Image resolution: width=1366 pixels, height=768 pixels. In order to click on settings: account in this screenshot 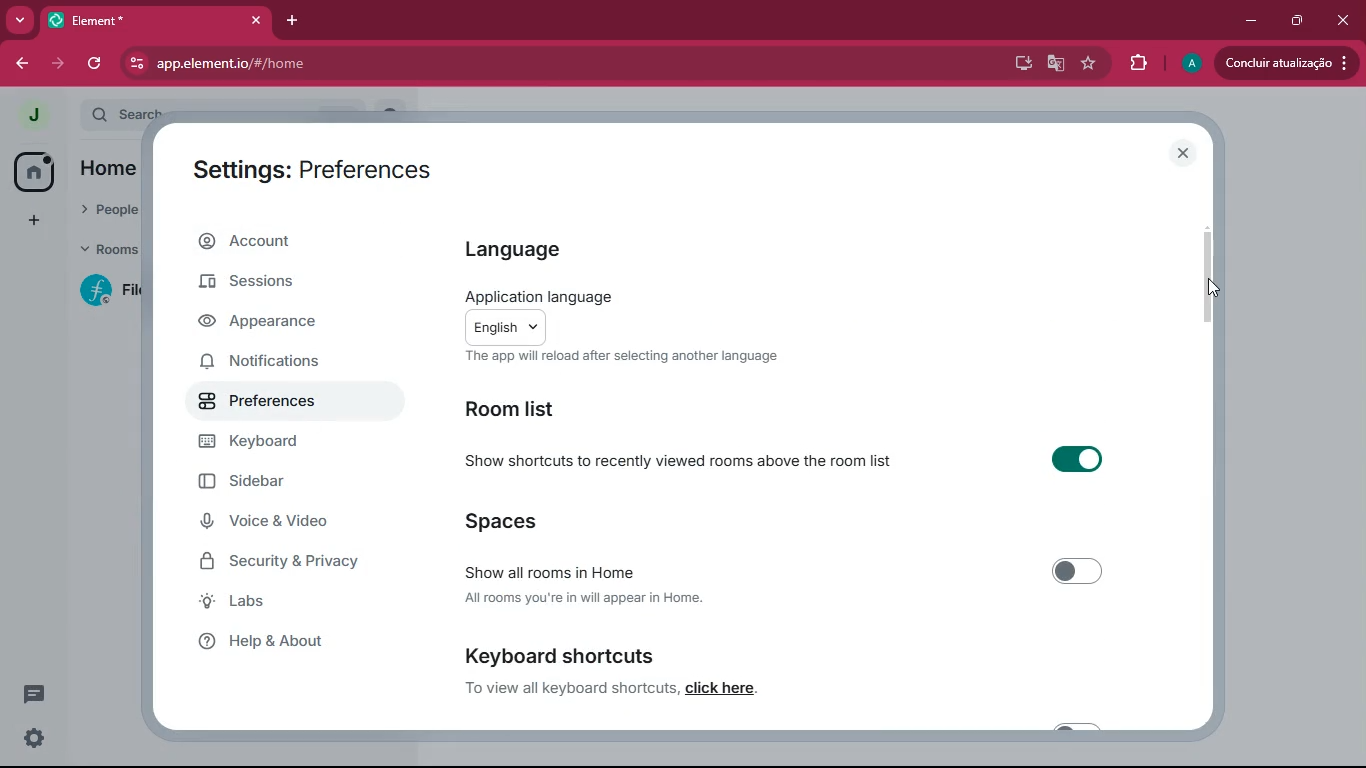, I will do `click(305, 173)`.